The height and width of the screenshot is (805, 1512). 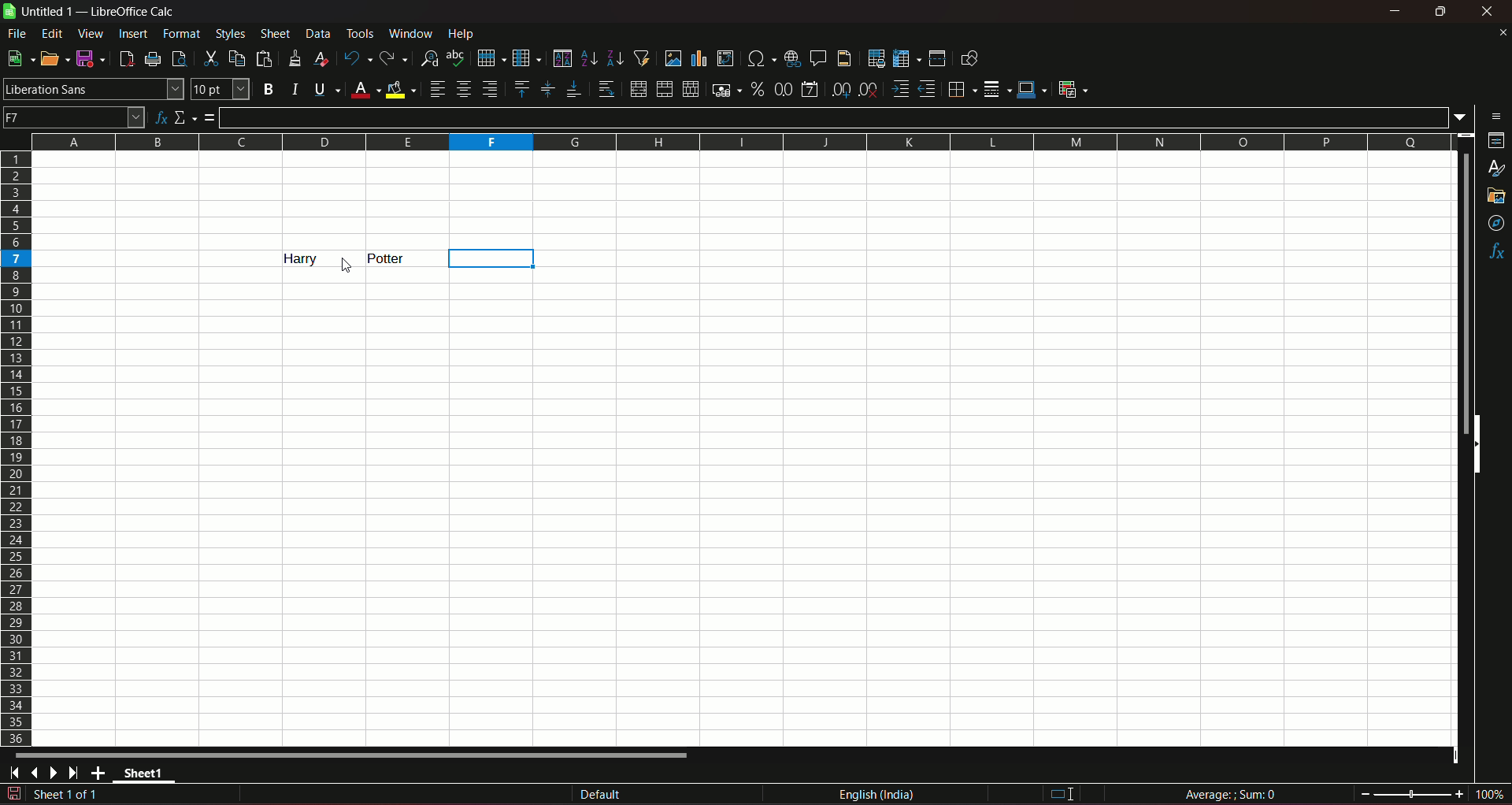 I want to click on align right, so click(x=492, y=89).